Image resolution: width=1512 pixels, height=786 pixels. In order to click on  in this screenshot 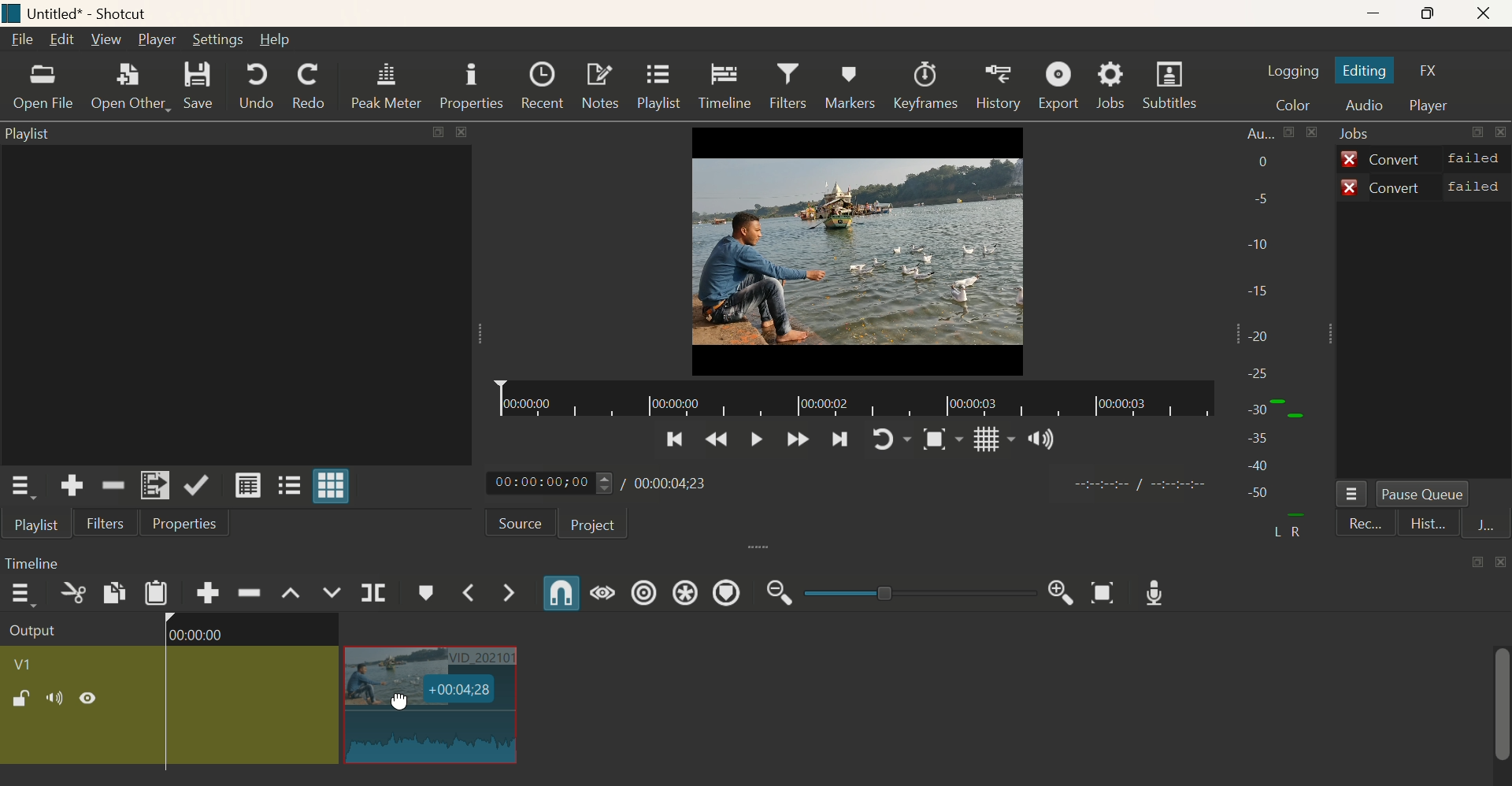, I will do `click(1423, 529)`.